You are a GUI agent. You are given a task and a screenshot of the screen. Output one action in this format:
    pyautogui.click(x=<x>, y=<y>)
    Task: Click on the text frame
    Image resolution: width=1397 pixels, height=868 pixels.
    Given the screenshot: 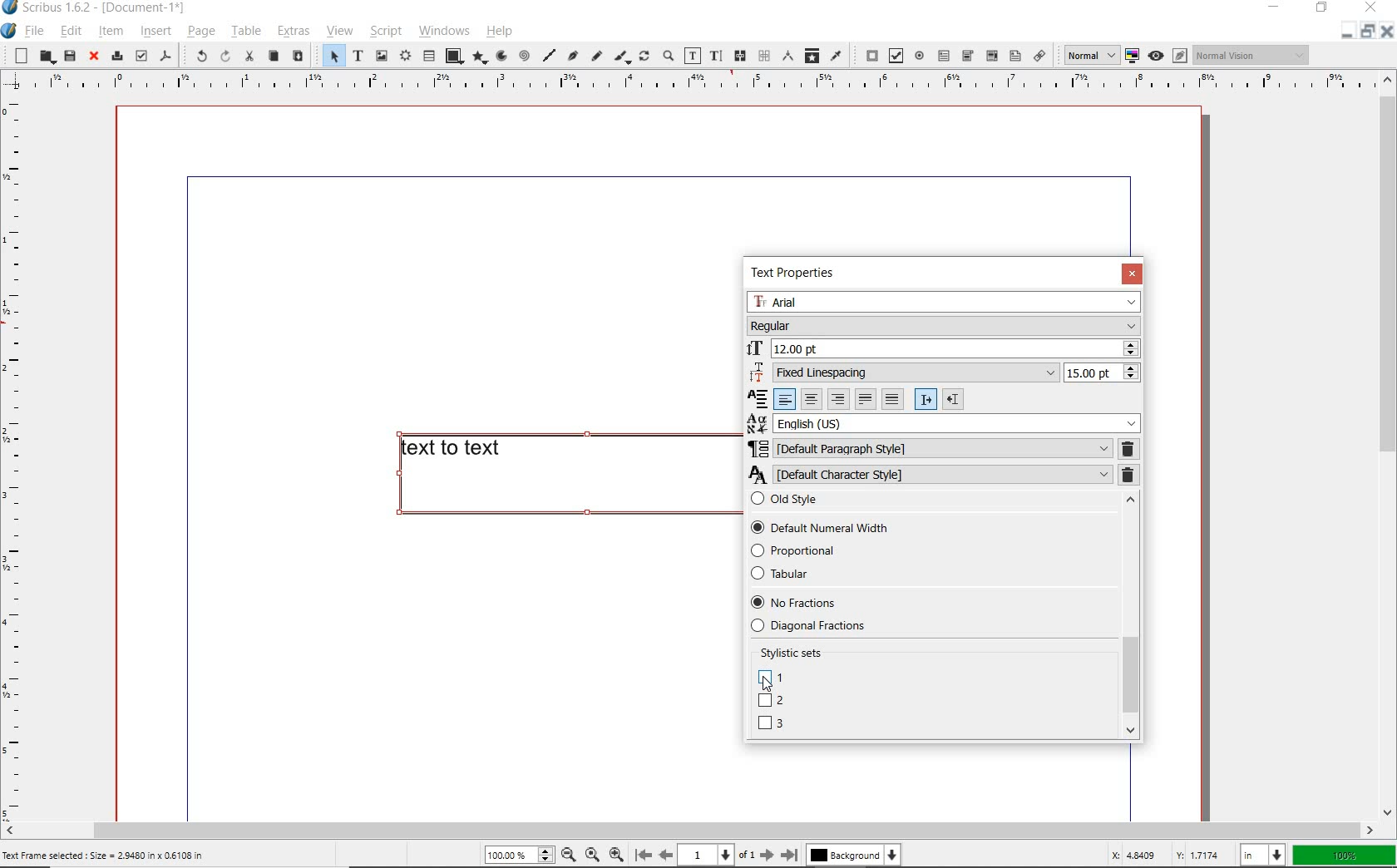 What is the action you would take?
    pyautogui.click(x=357, y=57)
    